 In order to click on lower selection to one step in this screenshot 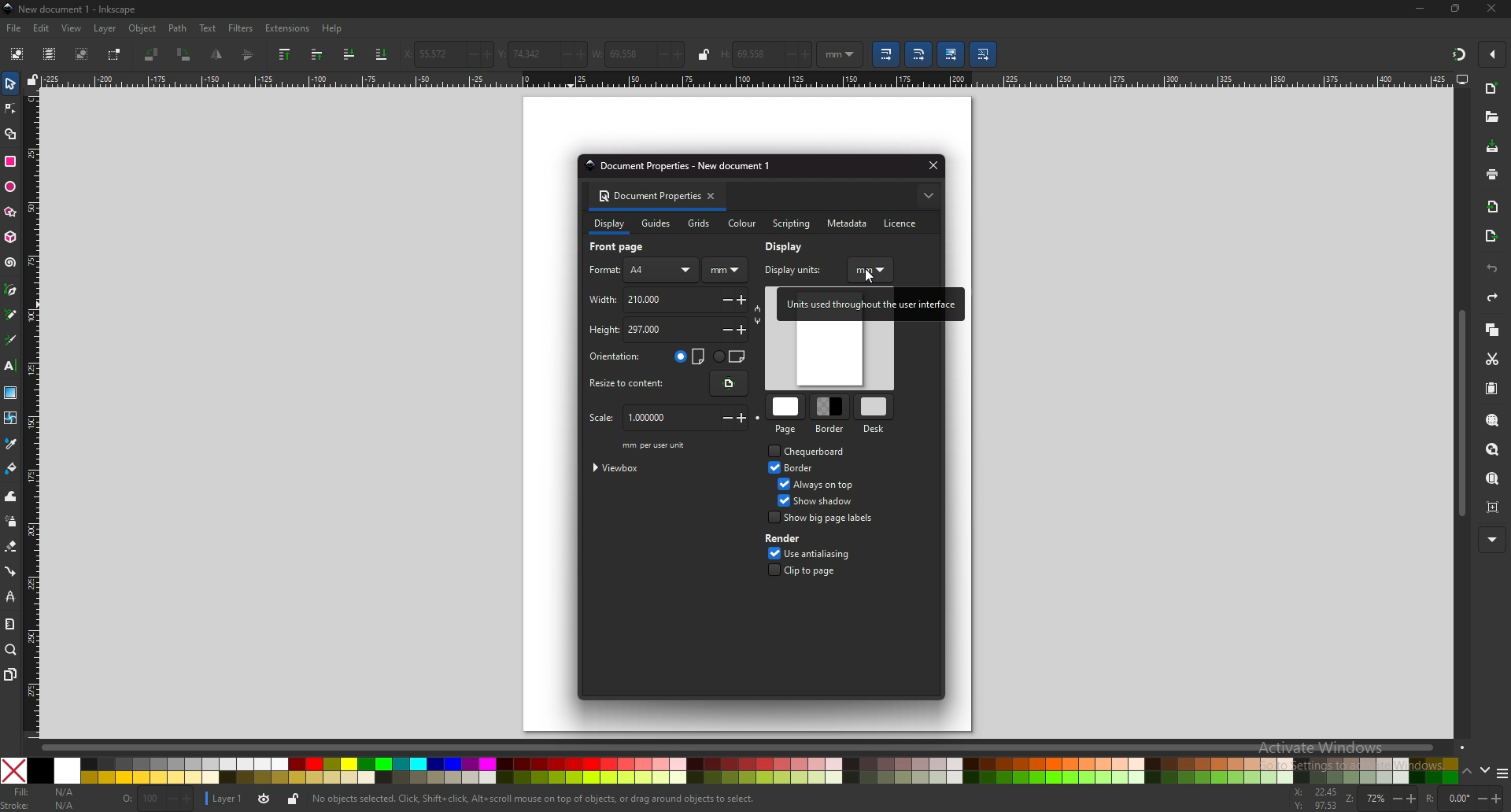, I will do `click(349, 54)`.